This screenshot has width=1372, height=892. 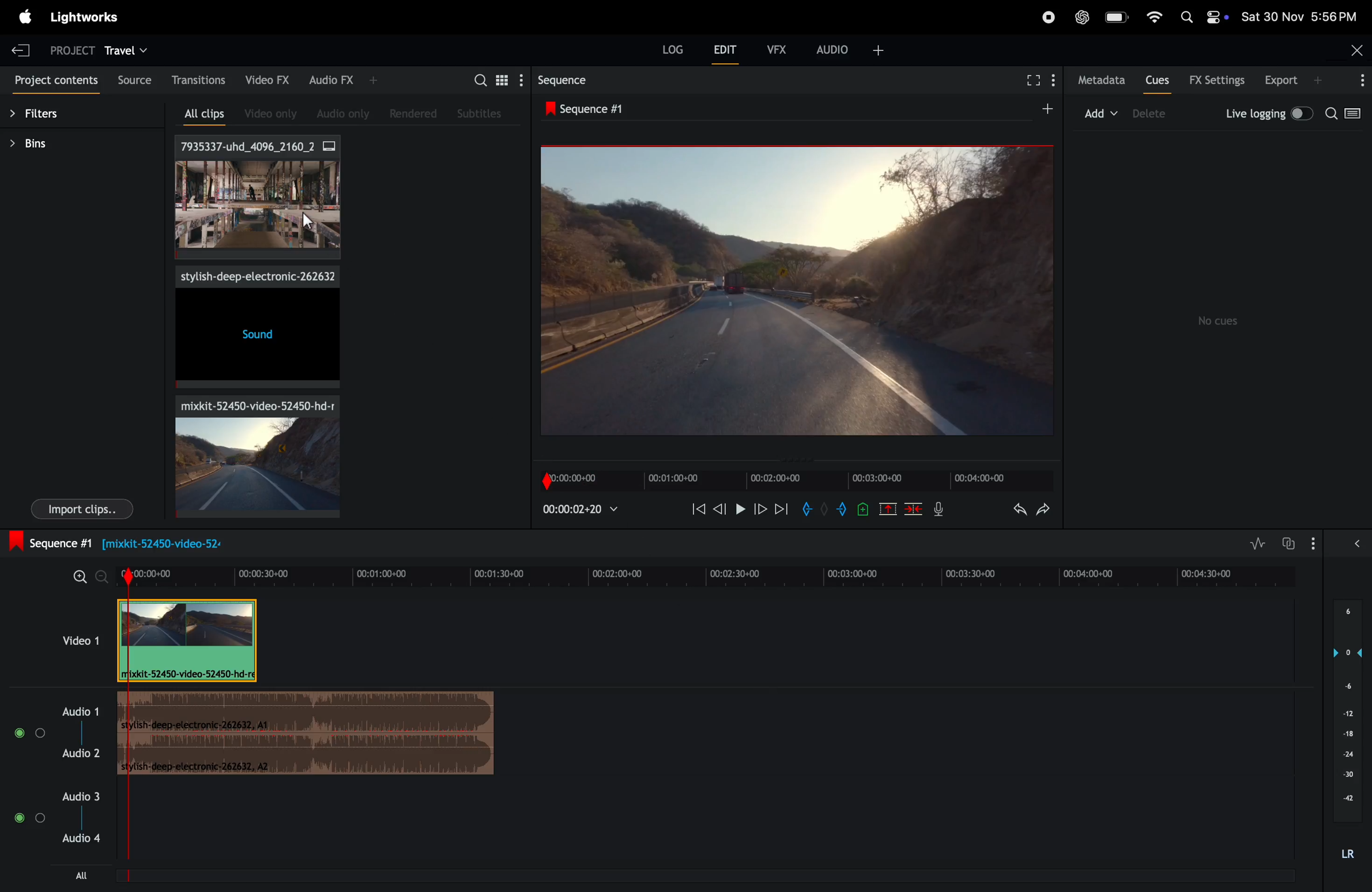 What do you see at coordinates (782, 512) in the screenshot?
I see `next frame` at bounding box center [782, 512].